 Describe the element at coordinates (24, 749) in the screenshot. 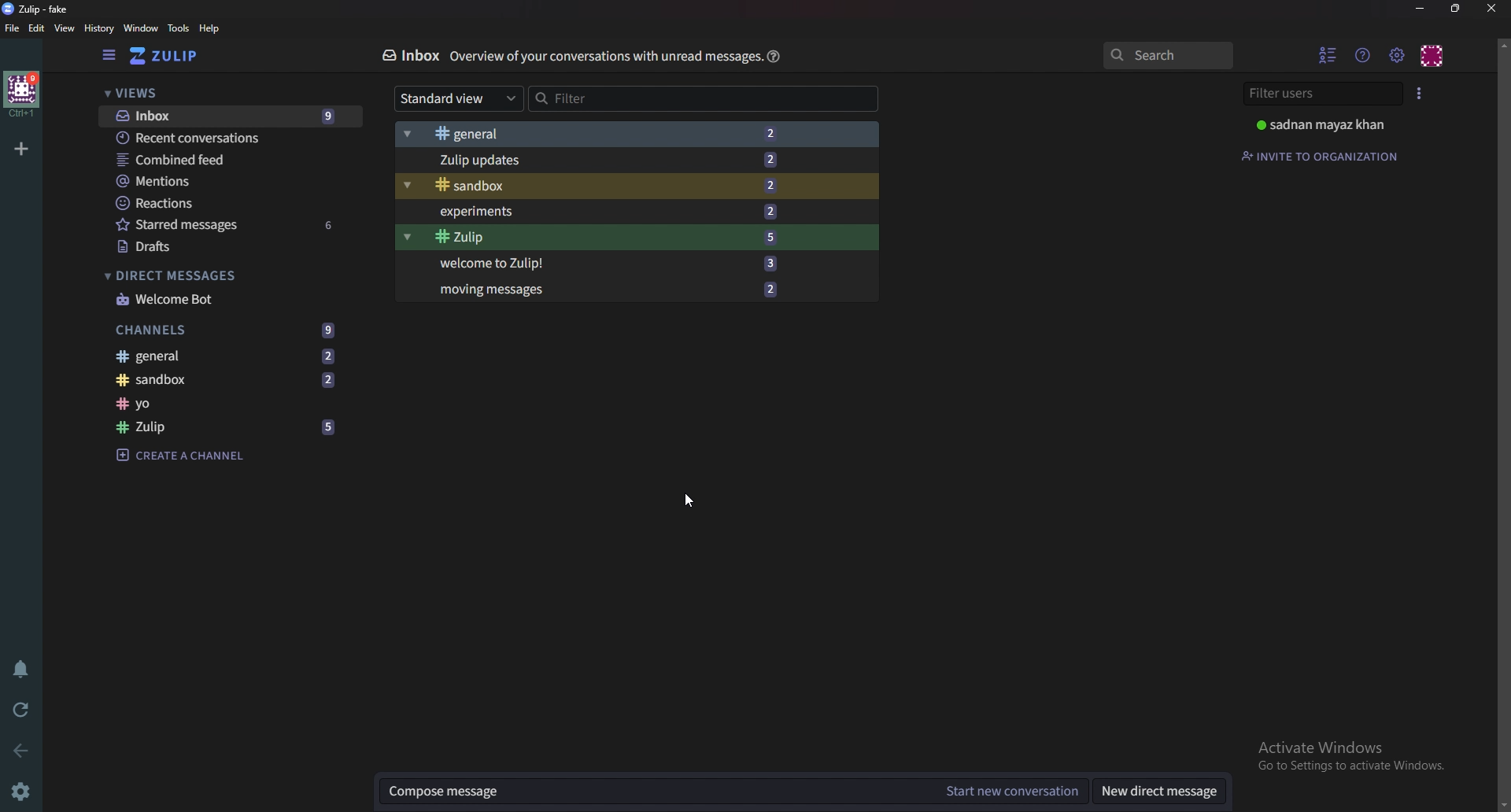

I see `back` at that location.